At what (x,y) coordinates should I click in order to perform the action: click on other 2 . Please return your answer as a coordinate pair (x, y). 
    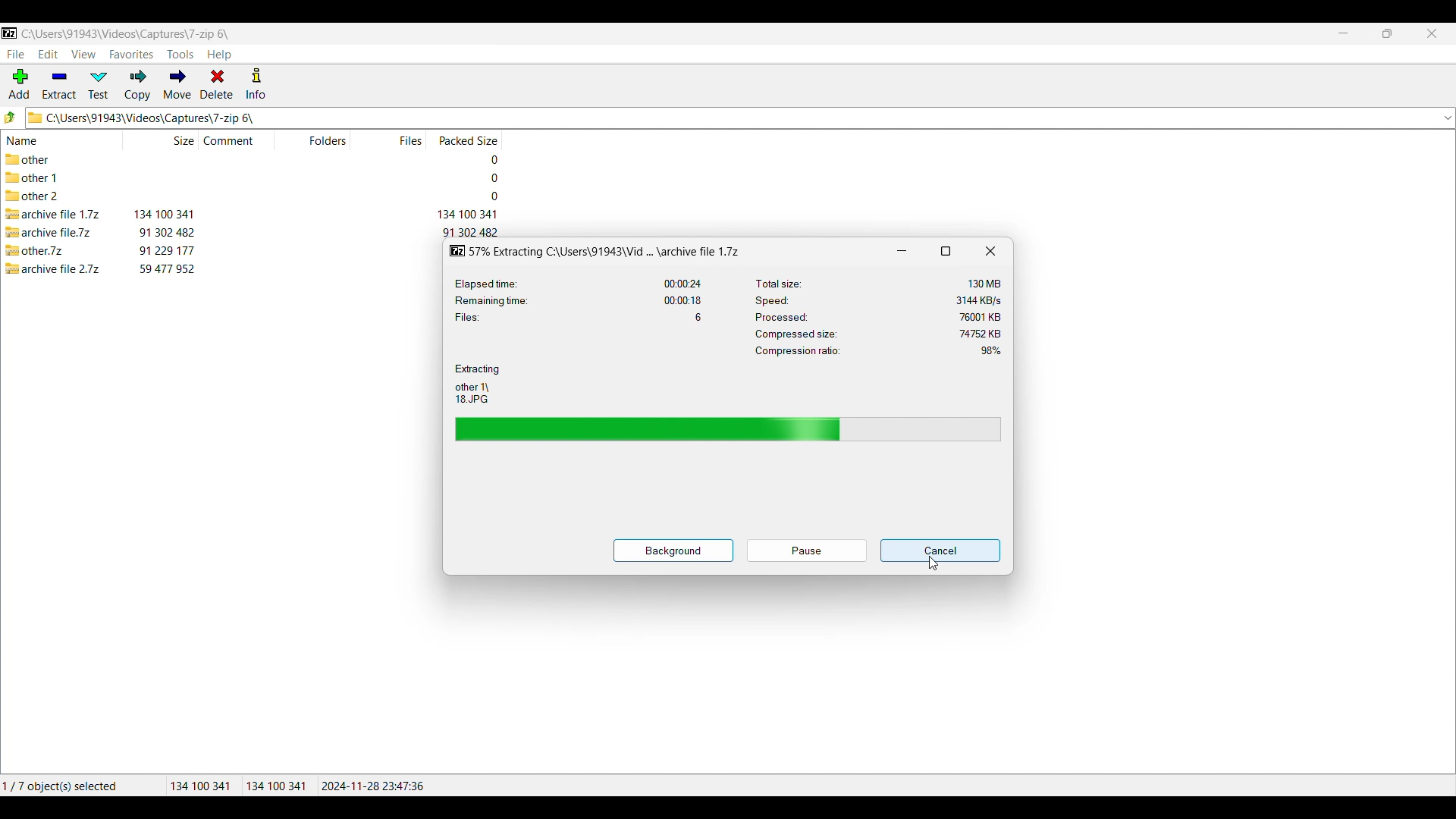
    Looking at the image, I should click on (33, 197).